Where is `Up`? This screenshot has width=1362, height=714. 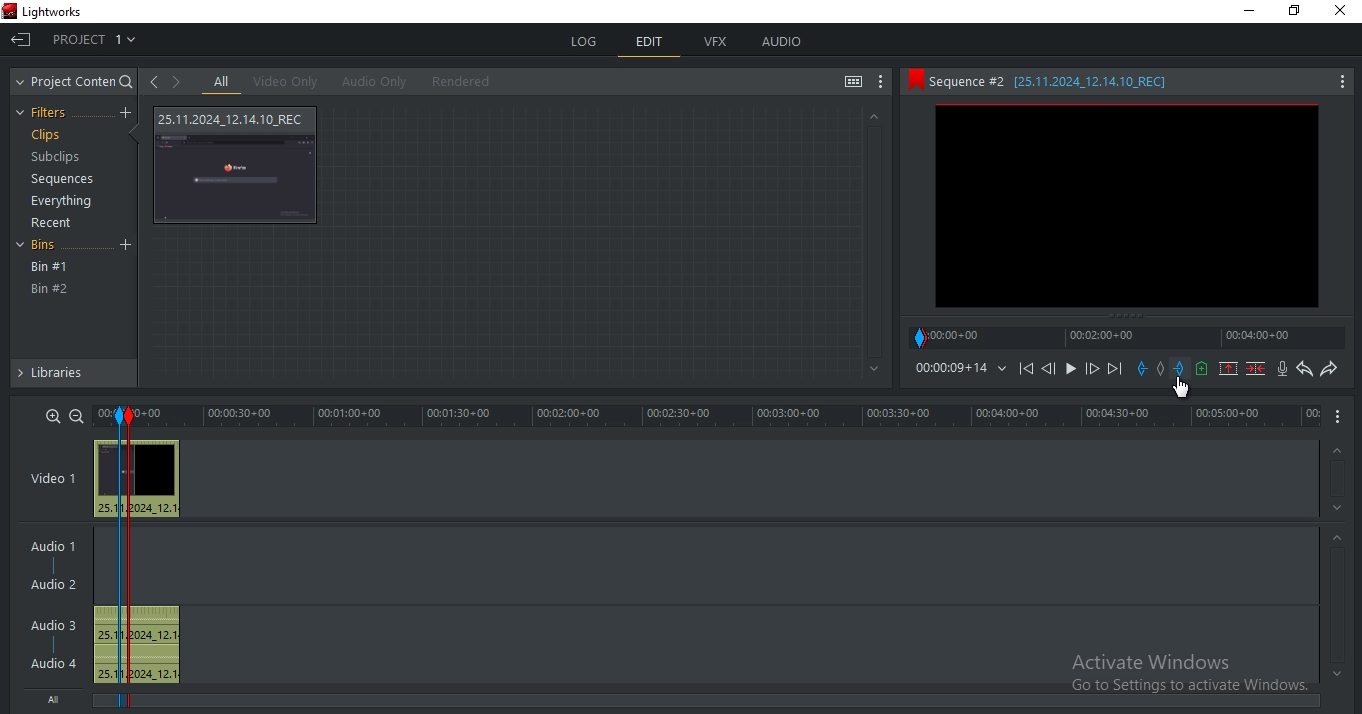 Up is located at coordinates (1339, 448).